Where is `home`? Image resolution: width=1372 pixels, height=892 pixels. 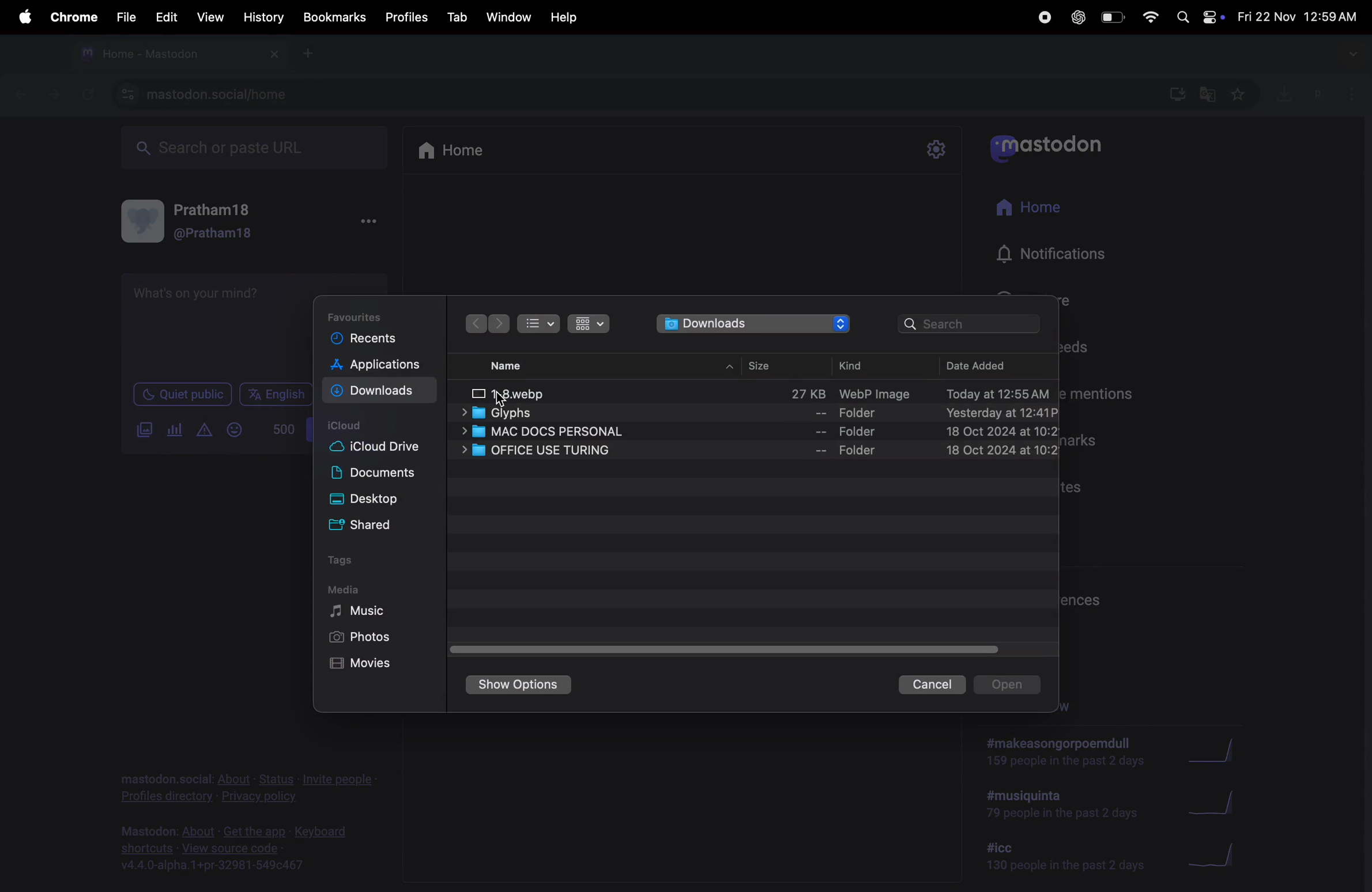
home is located at coordinates (1053, 211).